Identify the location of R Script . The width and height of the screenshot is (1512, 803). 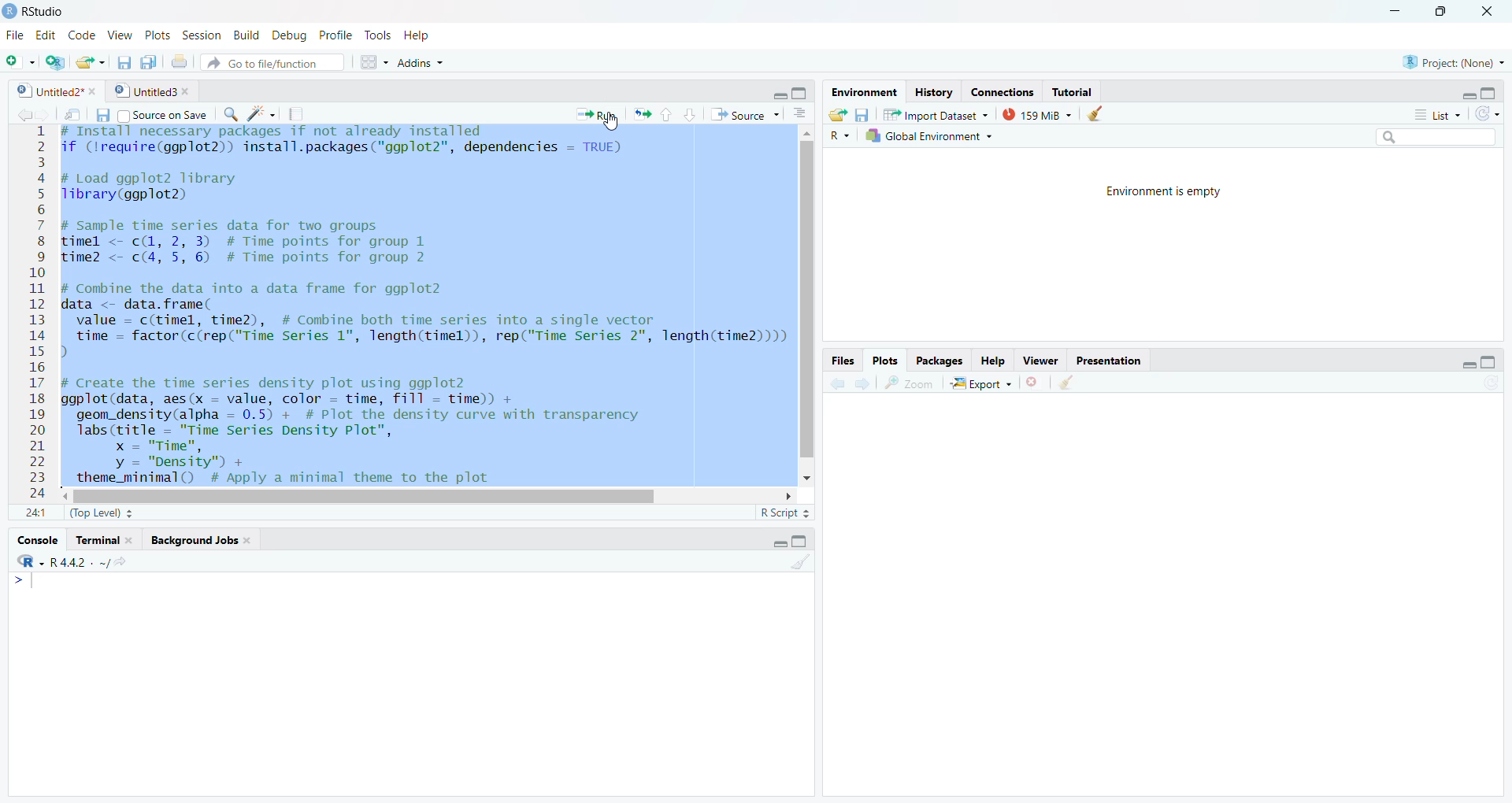
(784, 514).